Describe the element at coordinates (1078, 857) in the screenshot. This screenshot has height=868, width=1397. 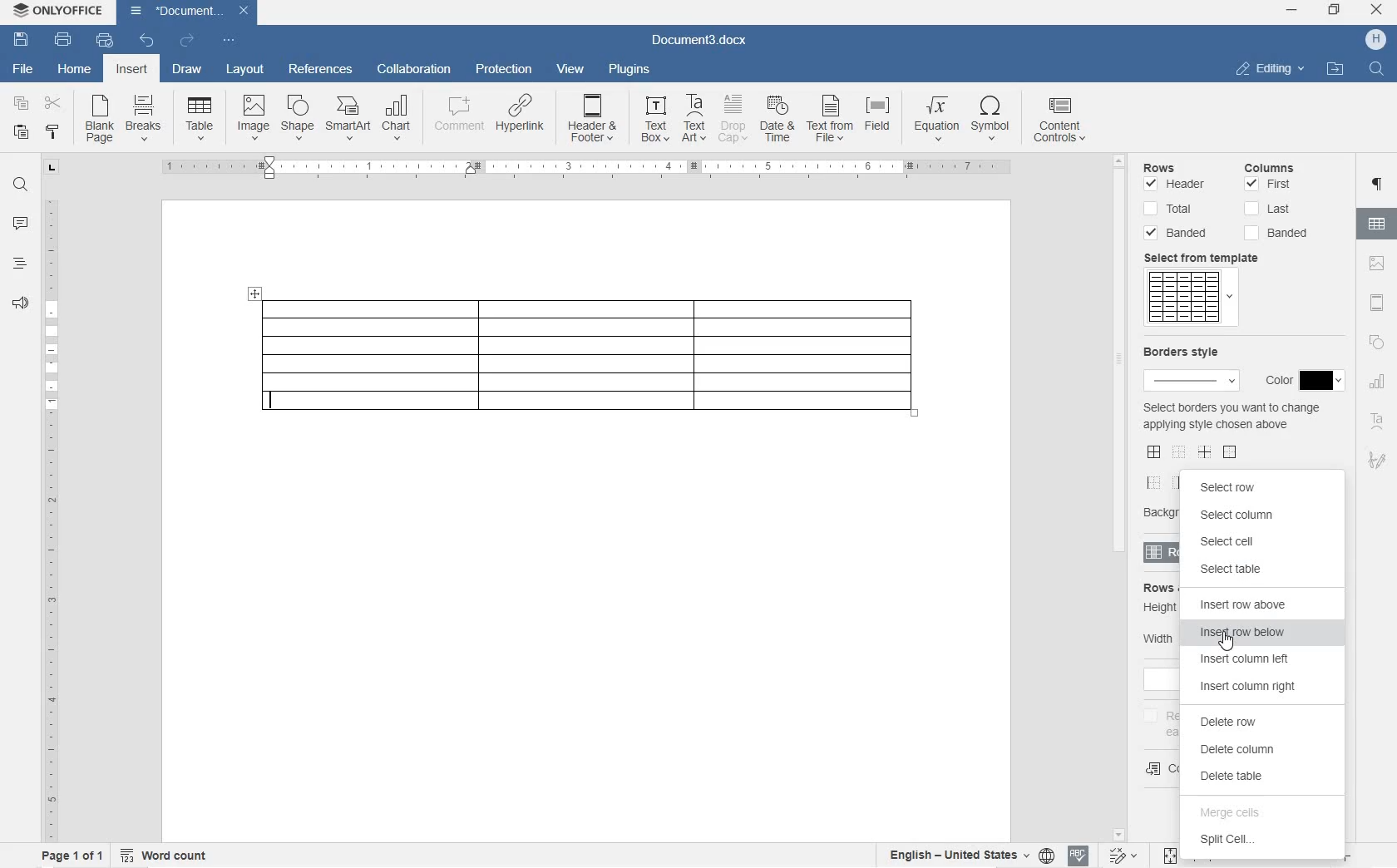
I see `SPELL CHECKING` at that location.